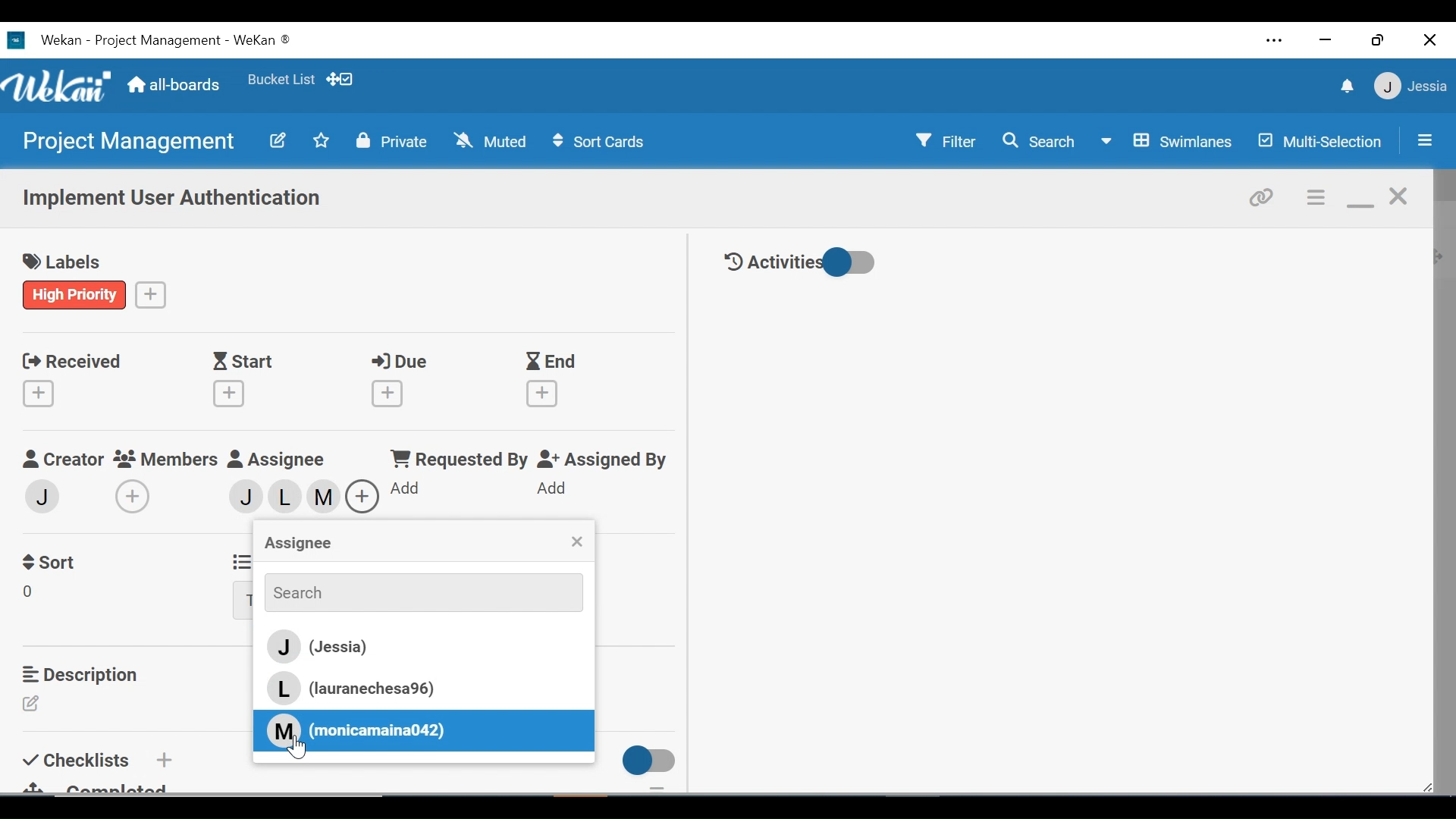 The width and height of the screenshot is (1456, 819). What do you see at coordinates (356, 730) in the screenshot?
I see `(monicamaina042)` at bounding box center [356, 730].